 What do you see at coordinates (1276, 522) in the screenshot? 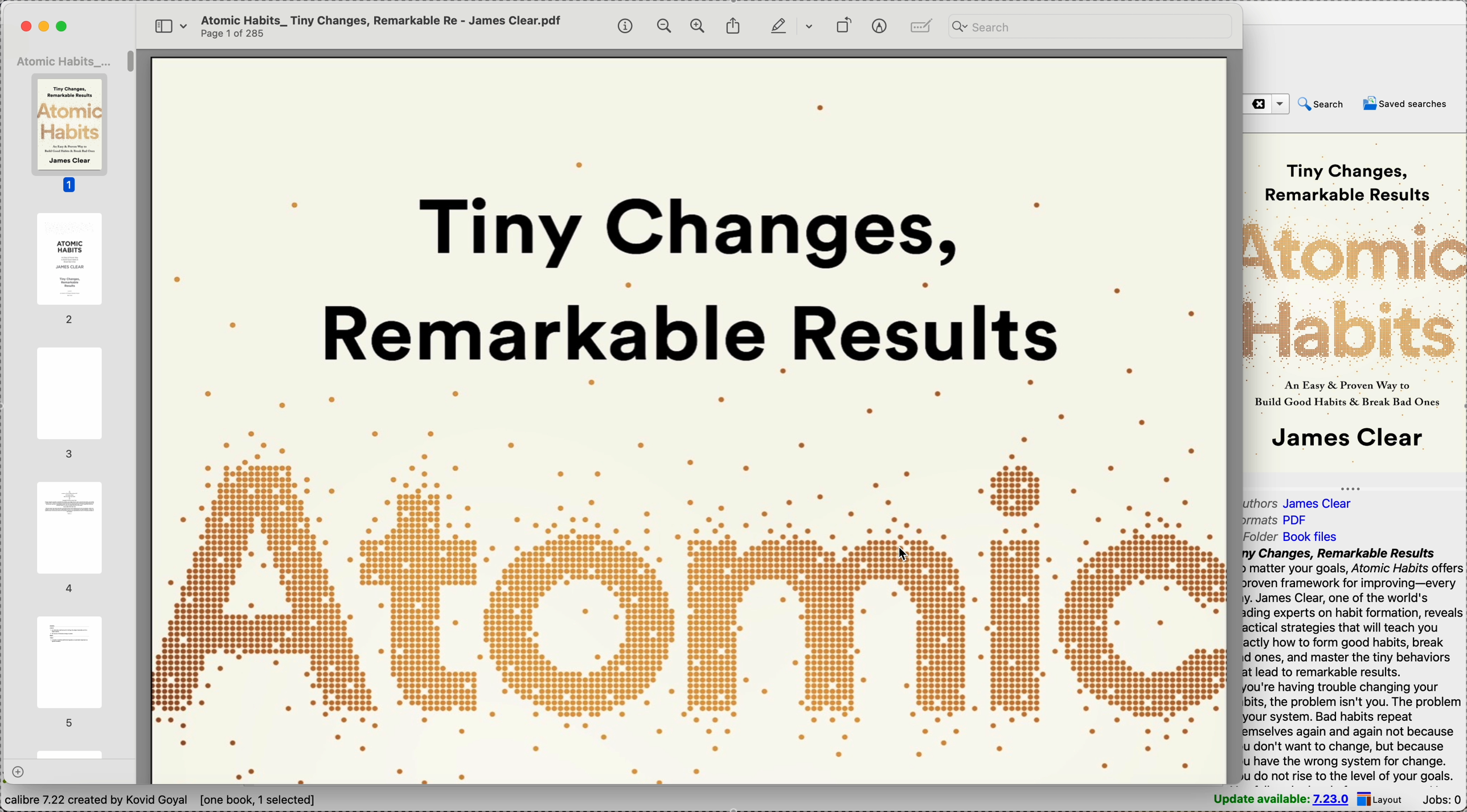
I see `formats` at bounding box center [1276, 522].